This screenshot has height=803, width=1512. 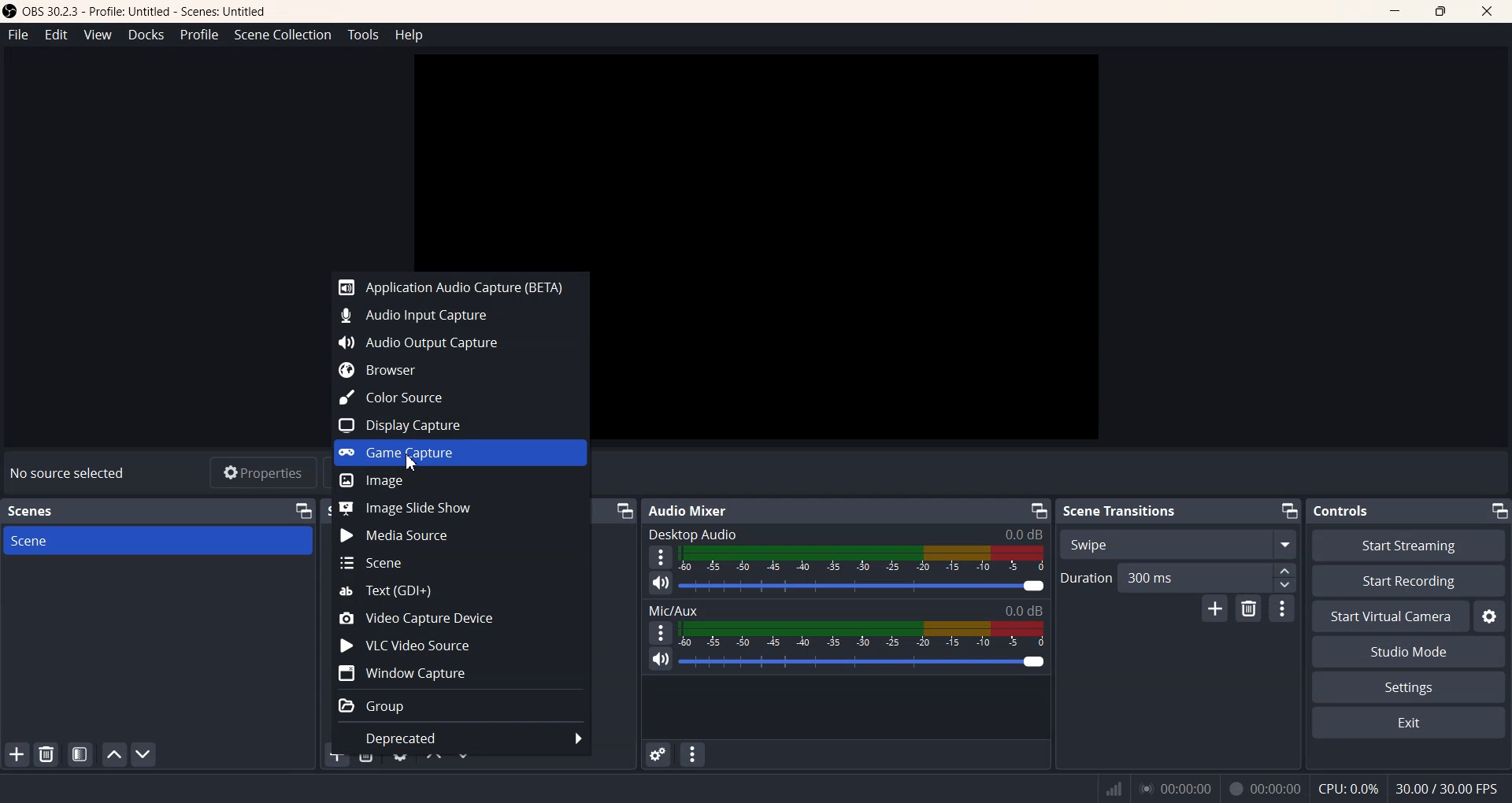 What do you see at coordinates (458, 563) in the screenshot?
I see `Scene` at bounding box center [458, 563].